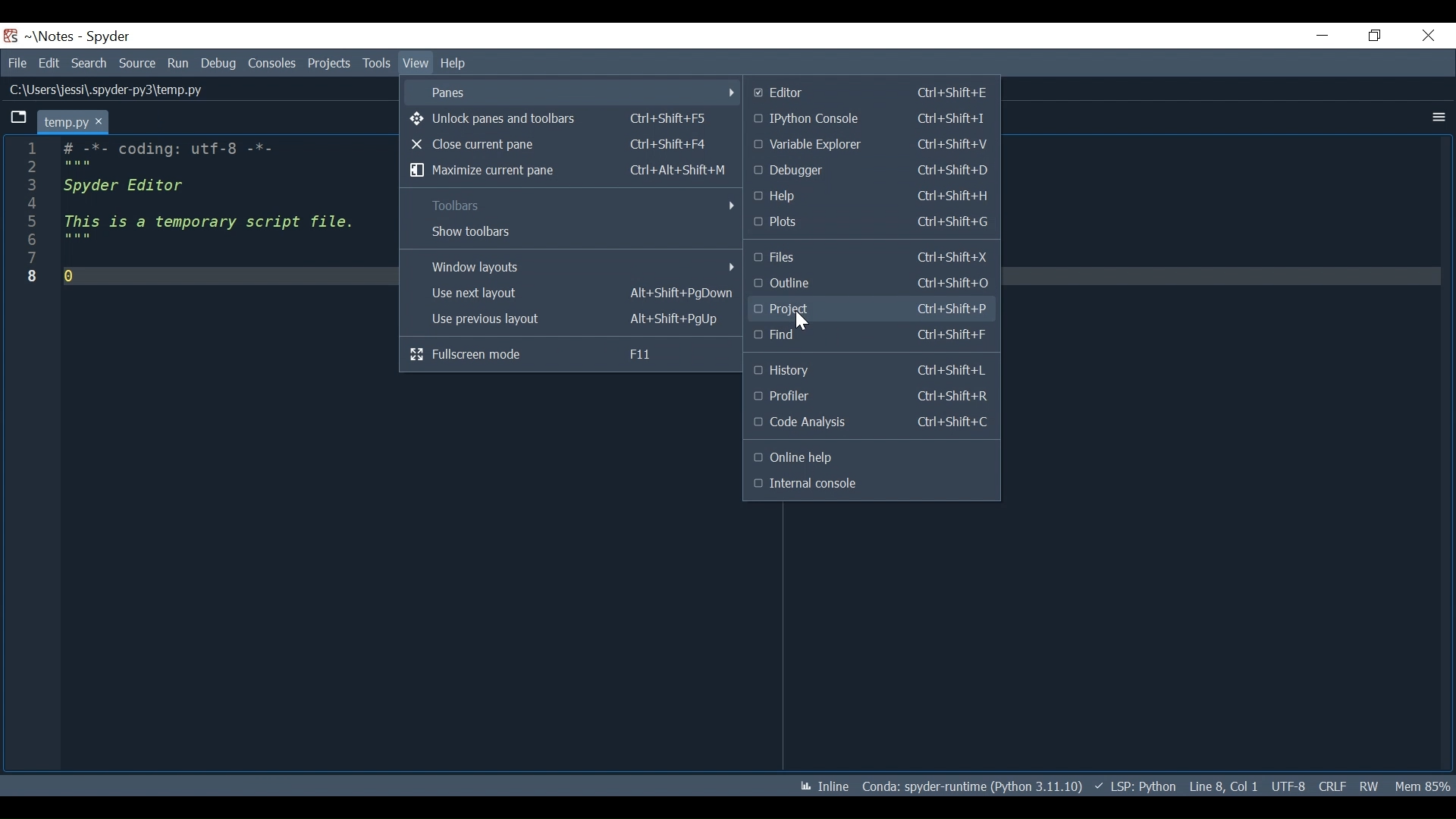  Describe the element at coordinates (570, 292) in the screenshot. I see `Use next layout` at that location.